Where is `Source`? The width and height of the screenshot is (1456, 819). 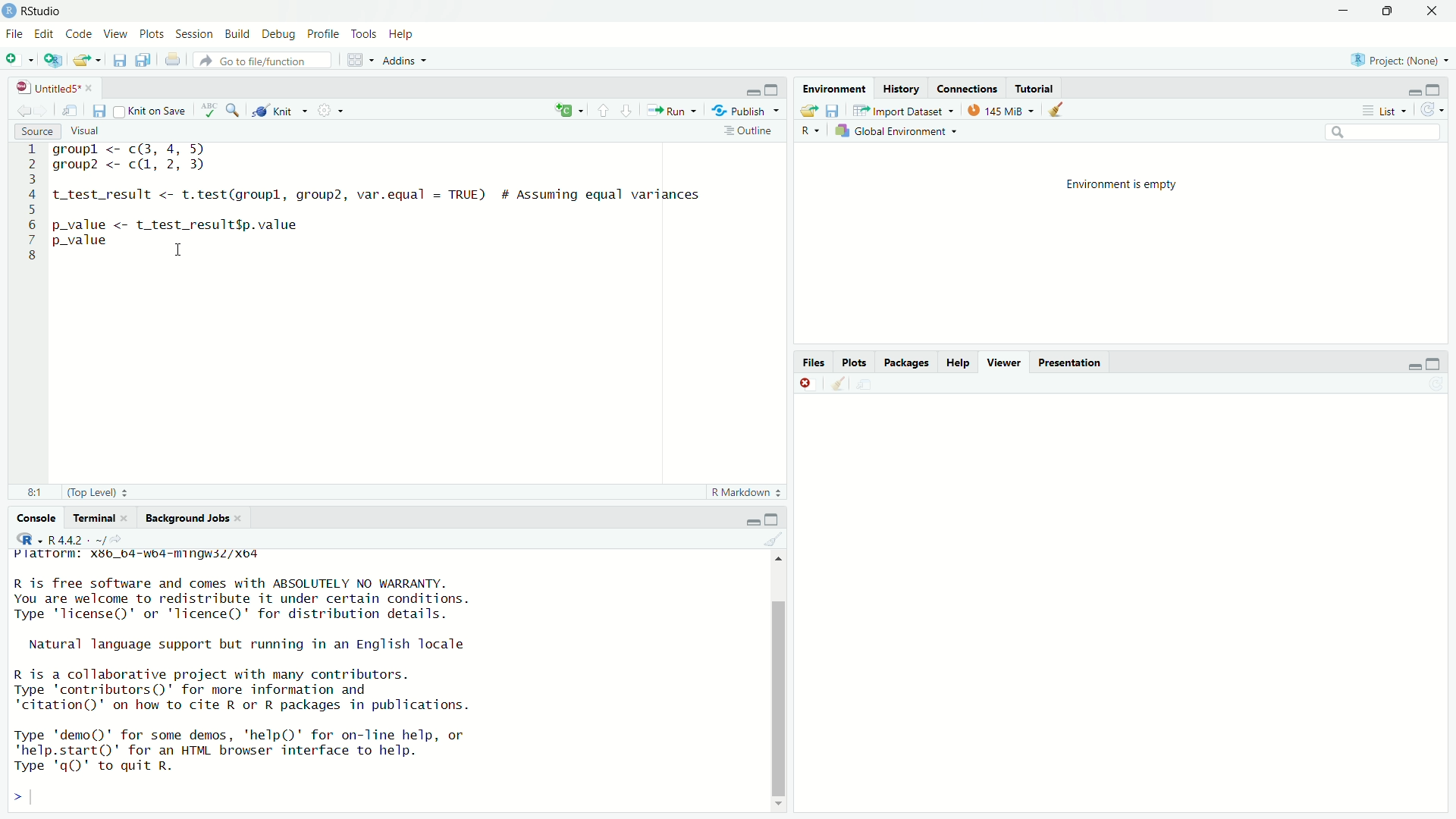
Source is located at coordinates (34, 131).